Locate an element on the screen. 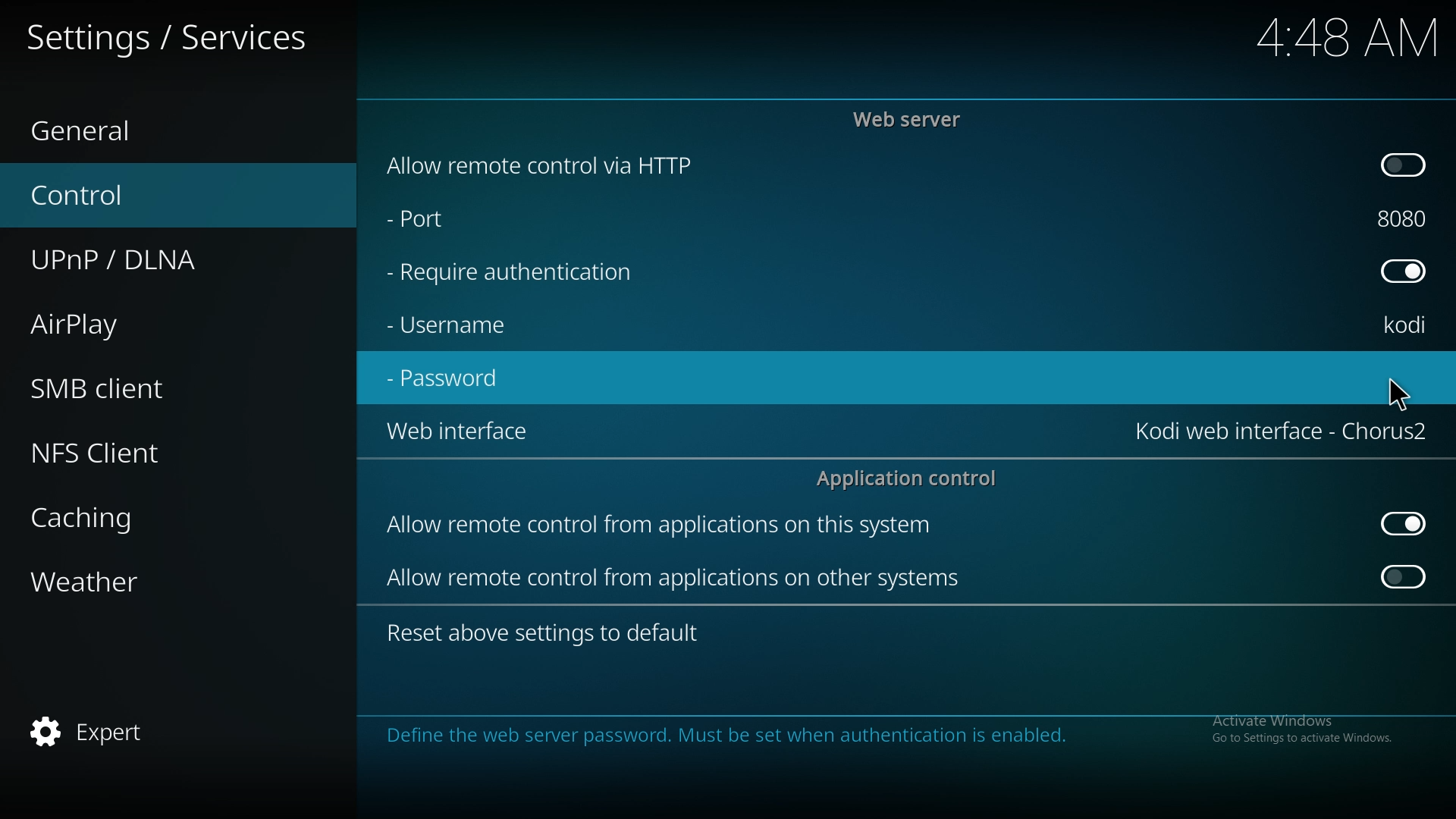 The width and height of the screenshot is (1456, 819). web interface is located at coordinates (457, 434).